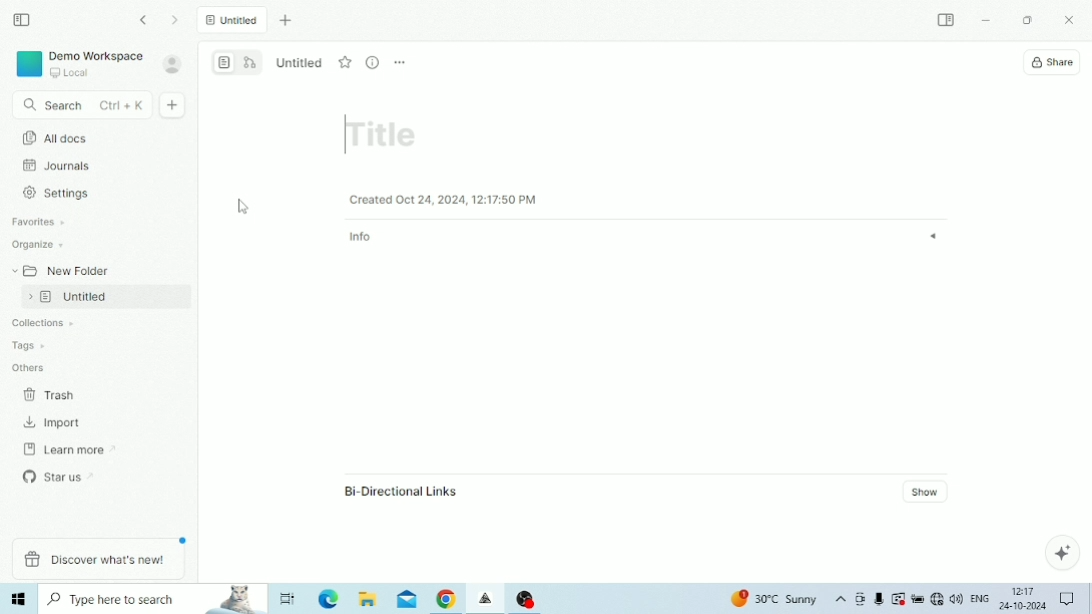 This screenshot has height=614, width=1092. I want to click on Type here to search, so click(154, 599).